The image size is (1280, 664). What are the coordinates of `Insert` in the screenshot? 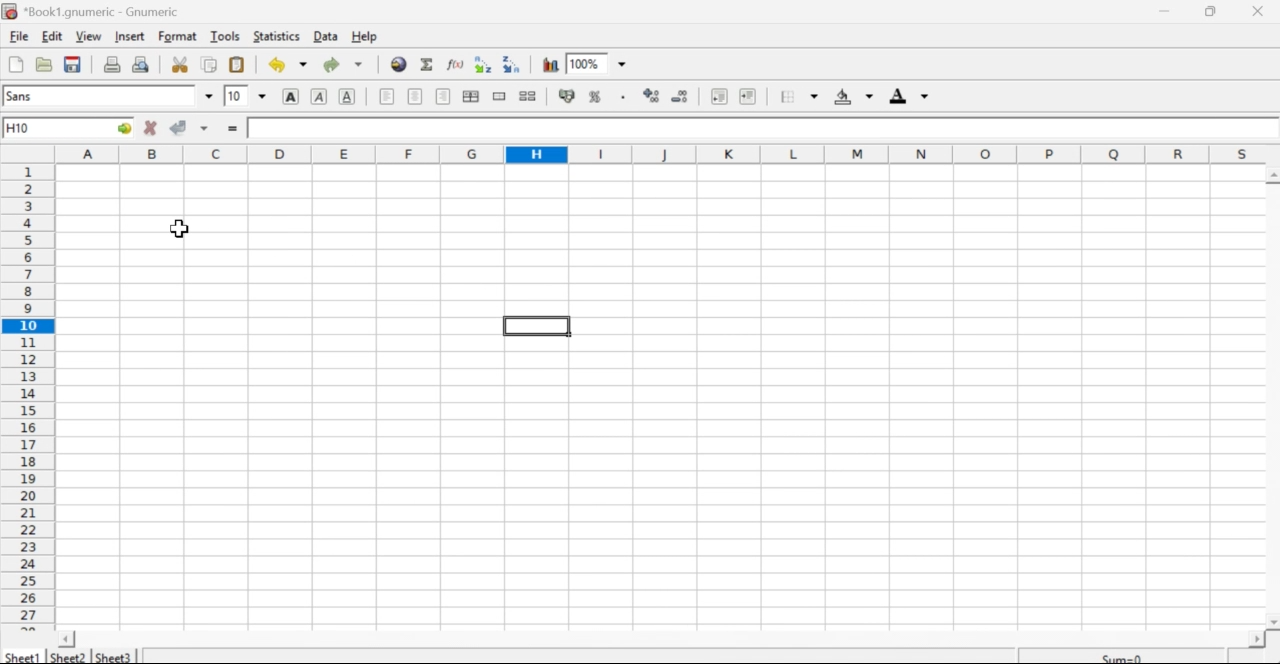 It's located at (131, 37).